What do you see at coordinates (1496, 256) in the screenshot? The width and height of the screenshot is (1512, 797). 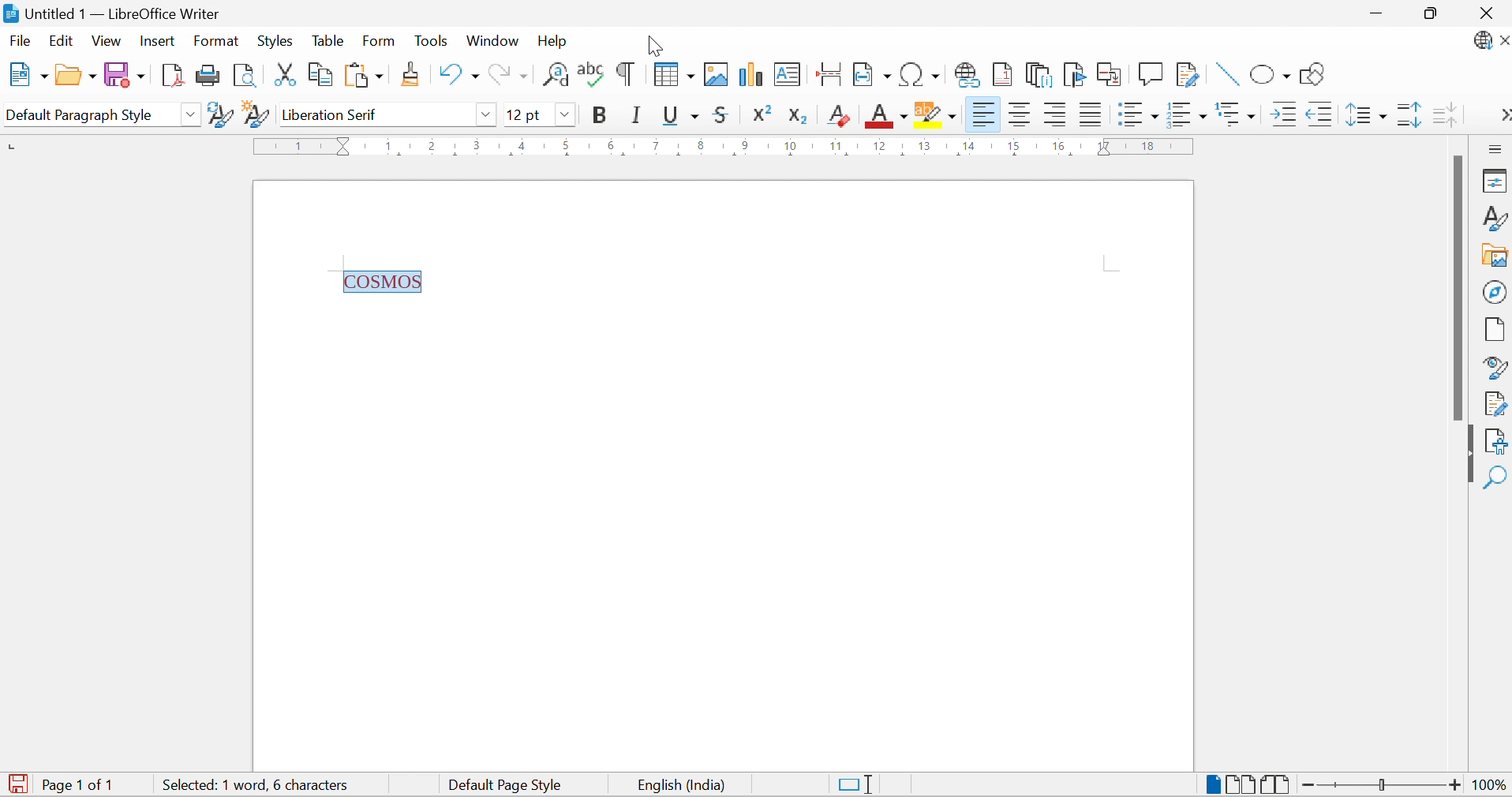 I see `Gallery` at bounding box center [1496, 256].